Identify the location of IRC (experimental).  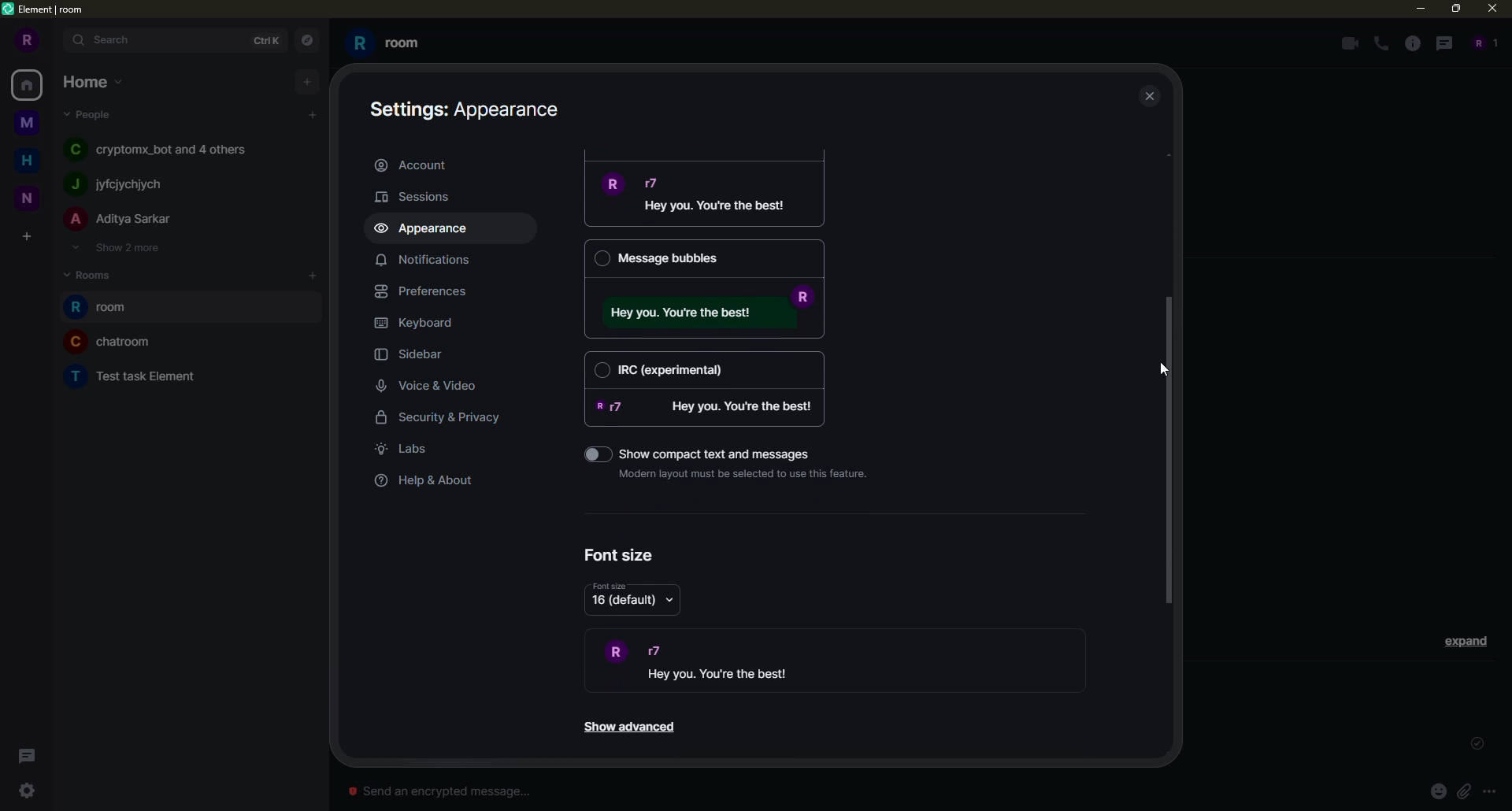
(705, 365).